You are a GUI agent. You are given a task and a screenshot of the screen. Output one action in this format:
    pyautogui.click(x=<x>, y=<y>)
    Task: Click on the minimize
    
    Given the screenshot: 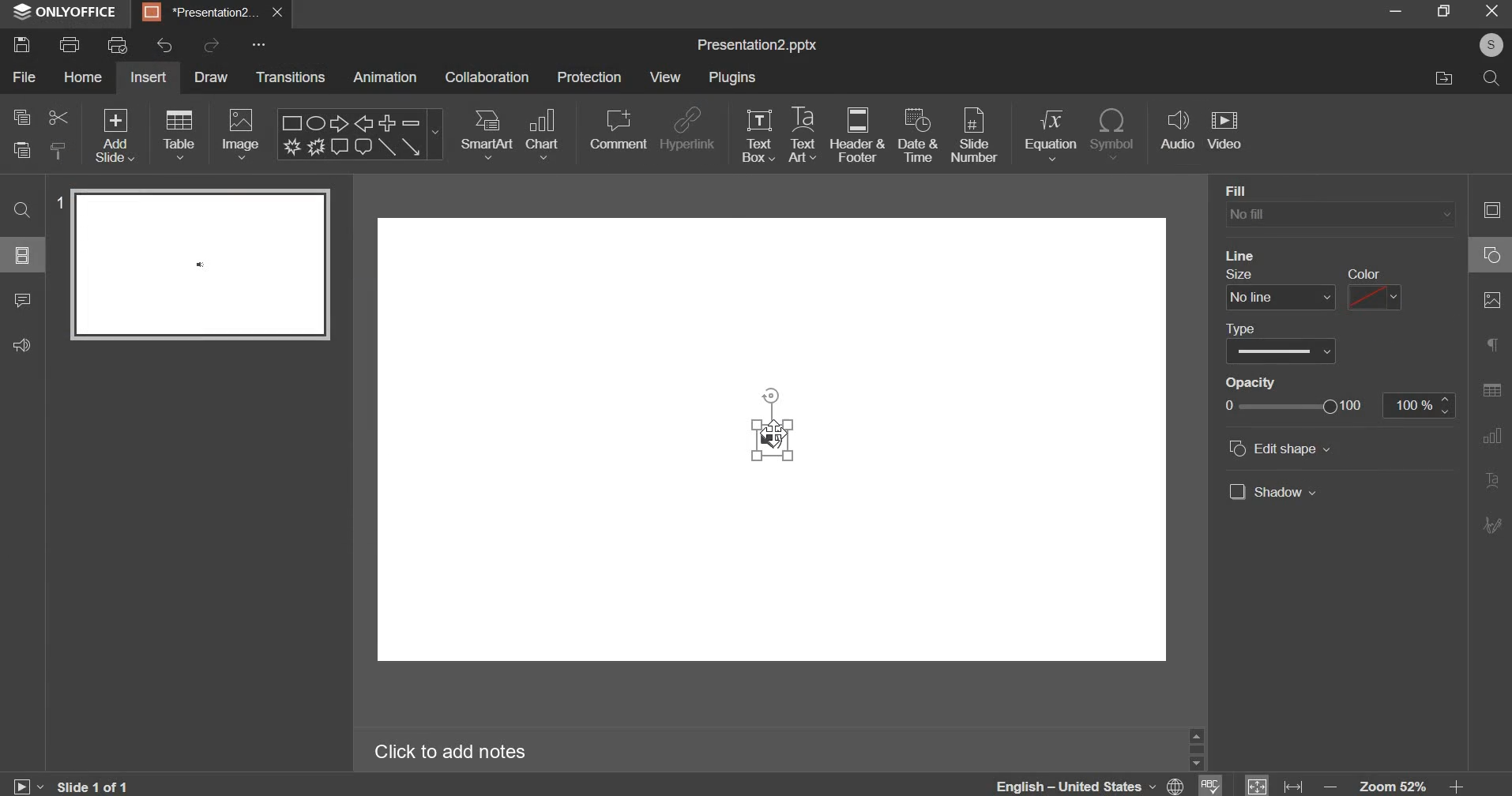 What is the action you would take?
    pyautogui.click(x=1393, y=14)
    